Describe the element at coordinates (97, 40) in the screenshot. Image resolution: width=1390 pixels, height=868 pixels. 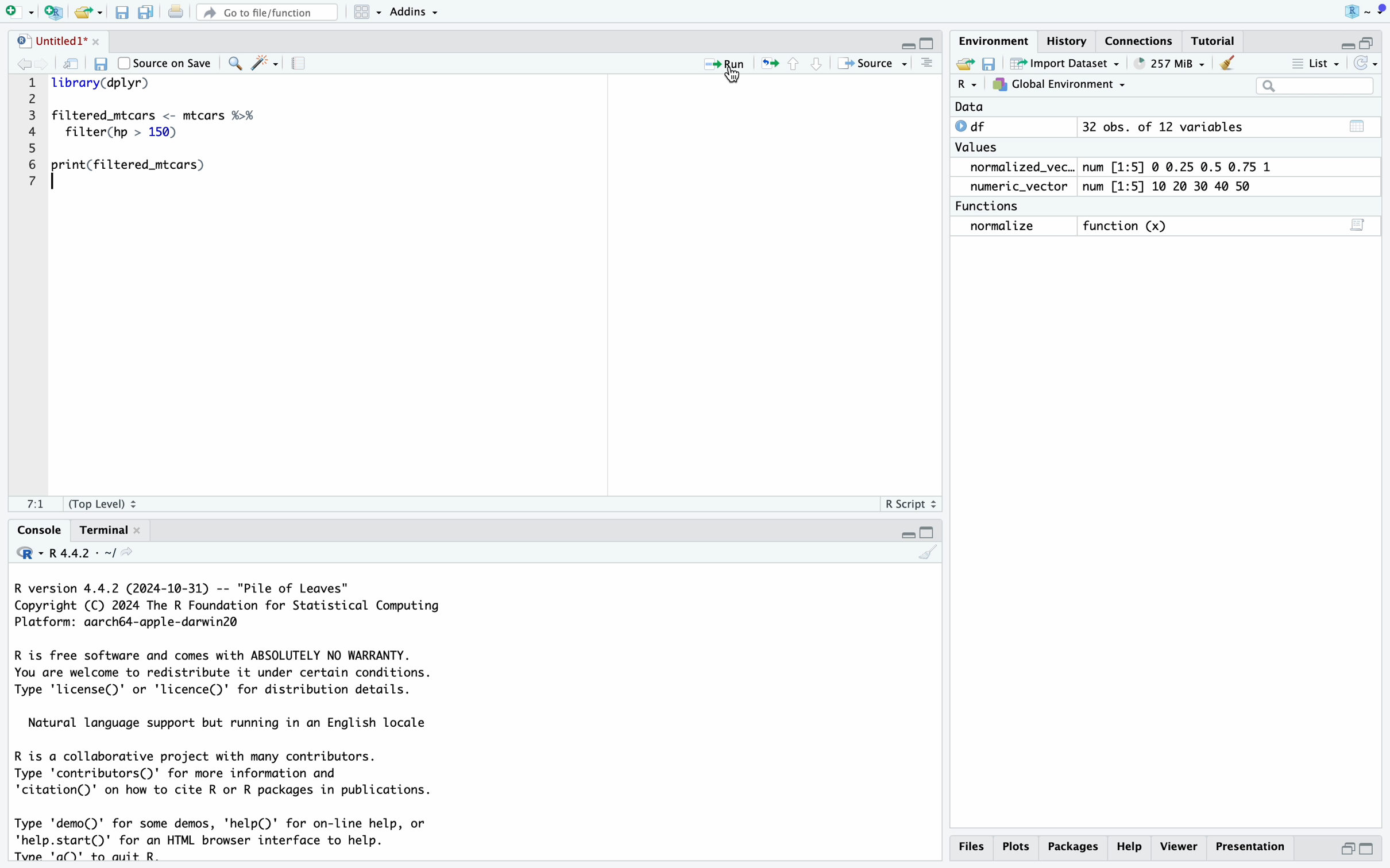
I see `close` at that location.